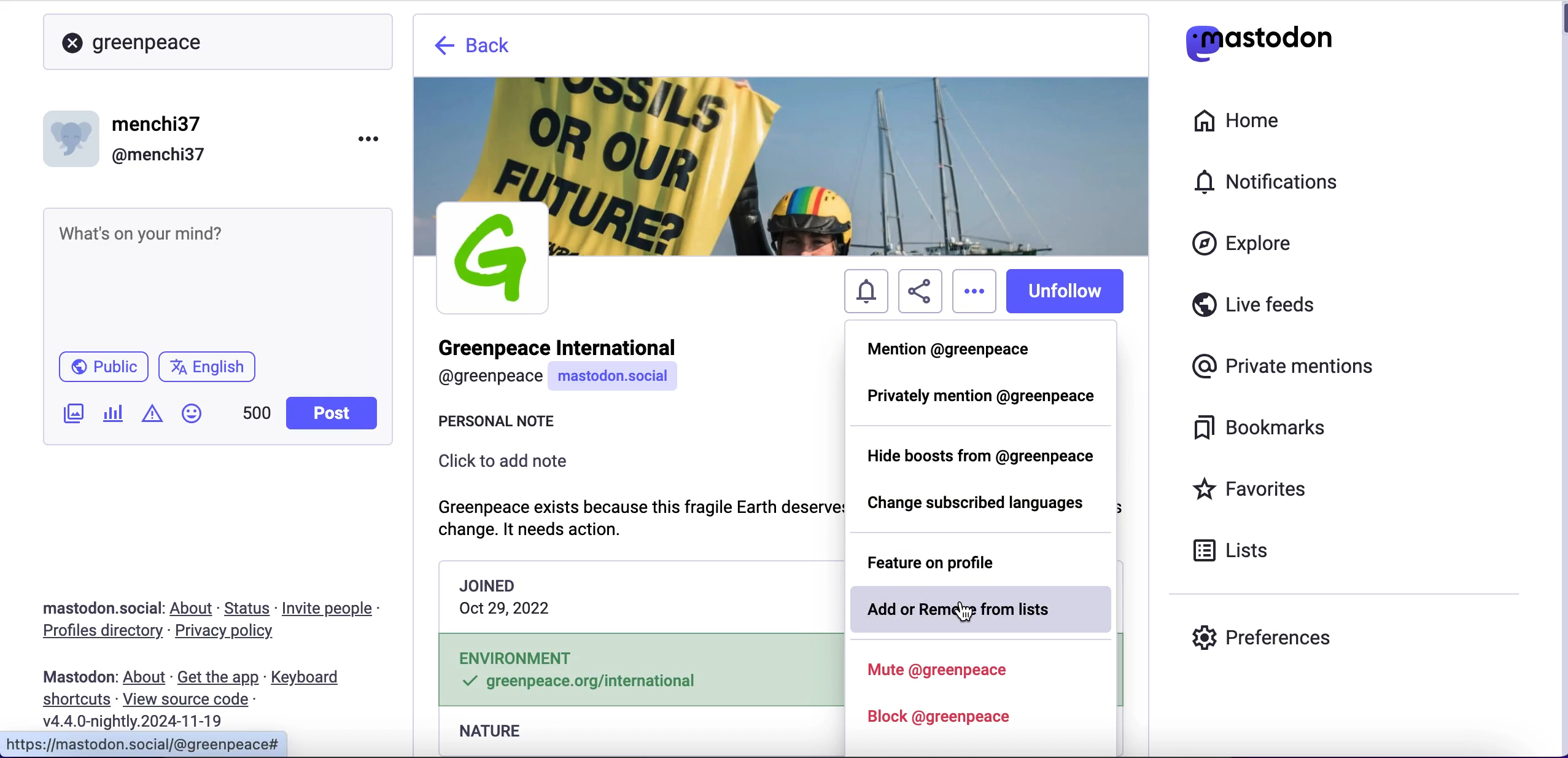 This screenshot has width=1568, height=758. What do you see at coordinates (142, 721) in the screenshot?
I see `2024-11-19` at bounding box center [142, 721].